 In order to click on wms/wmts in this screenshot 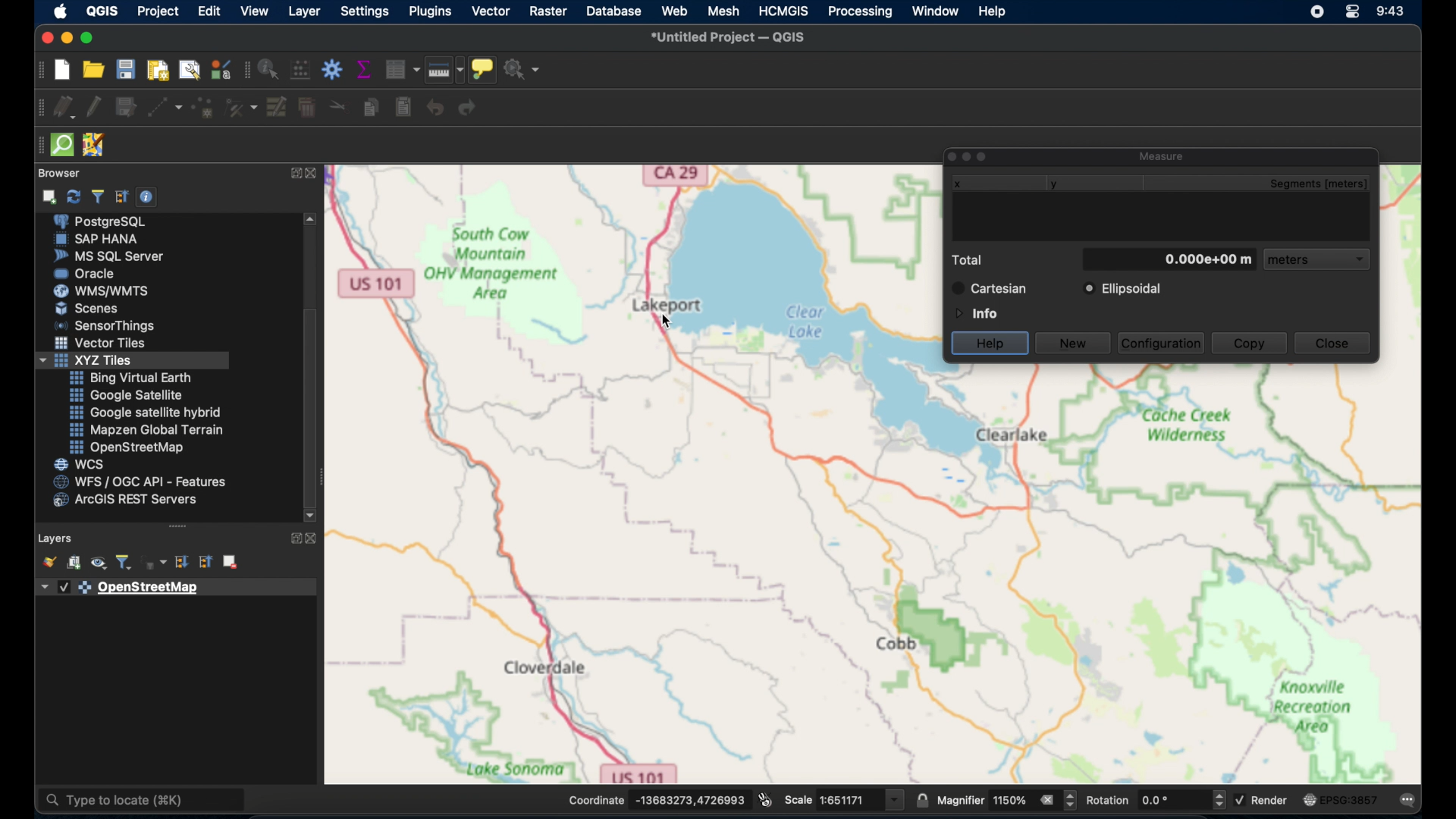, I will do `click(103, 290)`.